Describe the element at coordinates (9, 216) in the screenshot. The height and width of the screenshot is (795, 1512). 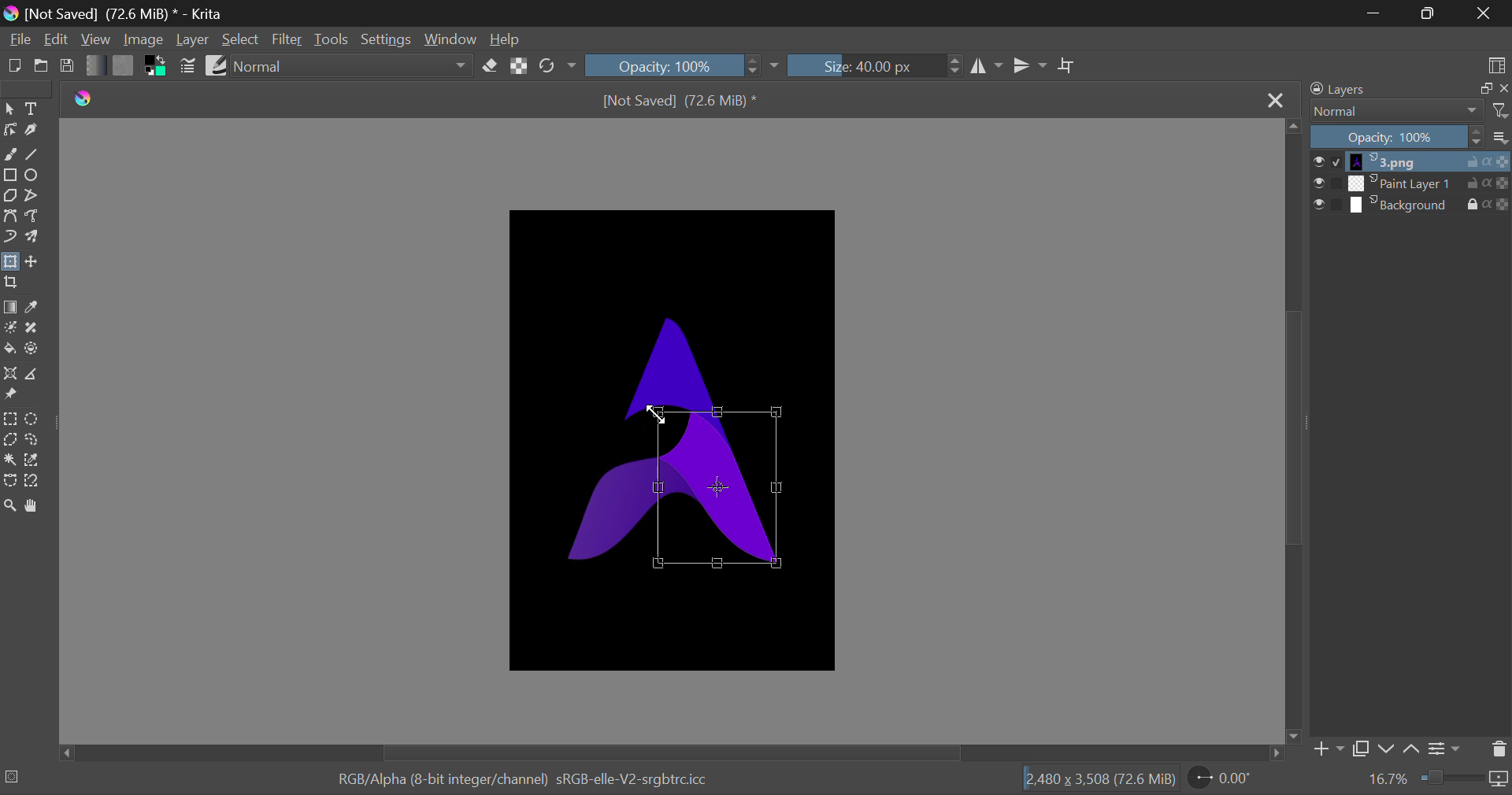
I see `Bezier Curve` at that location.